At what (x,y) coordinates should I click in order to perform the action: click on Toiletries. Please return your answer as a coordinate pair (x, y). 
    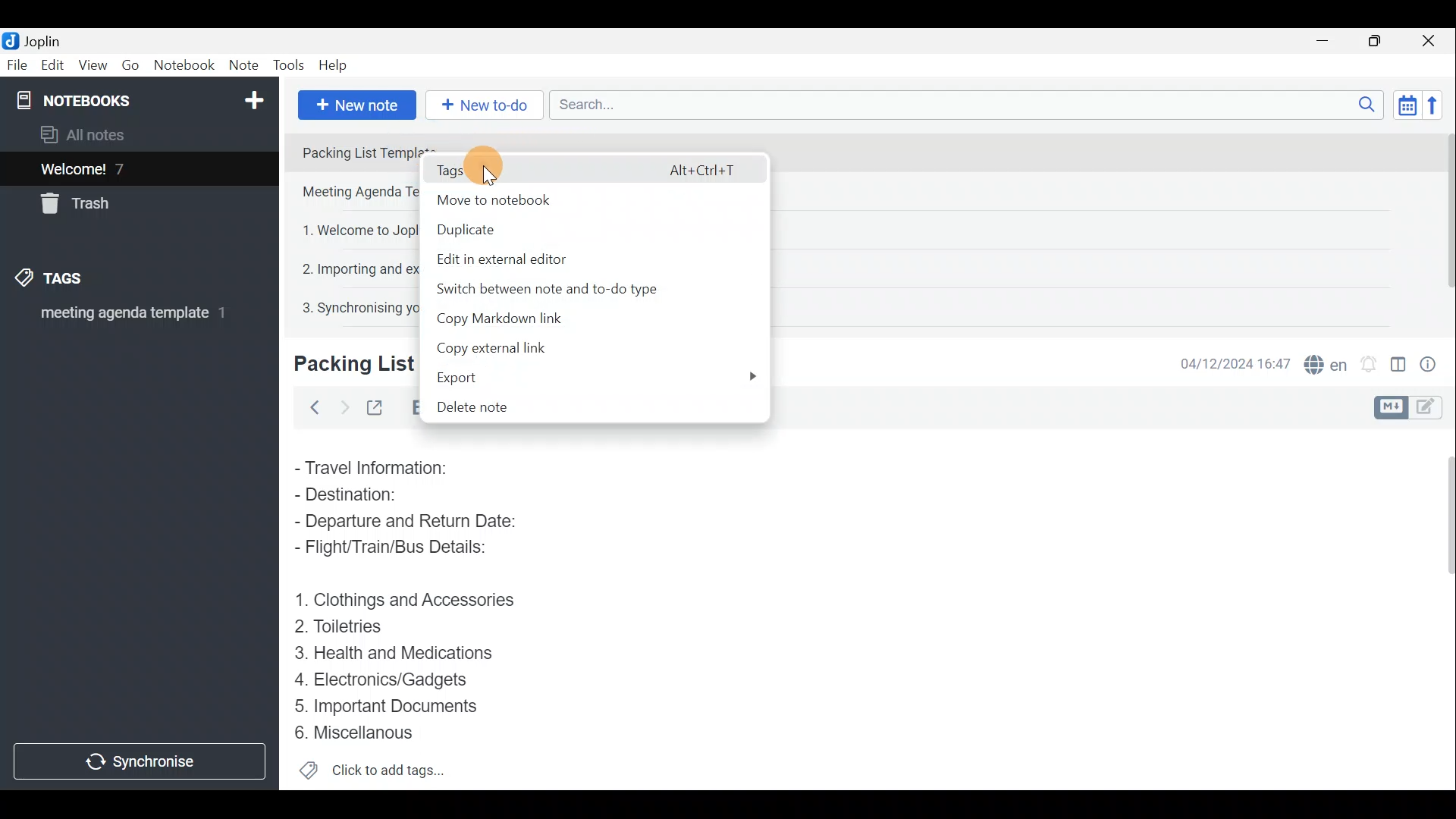
    Looking at the image, I should click on (349, 629).